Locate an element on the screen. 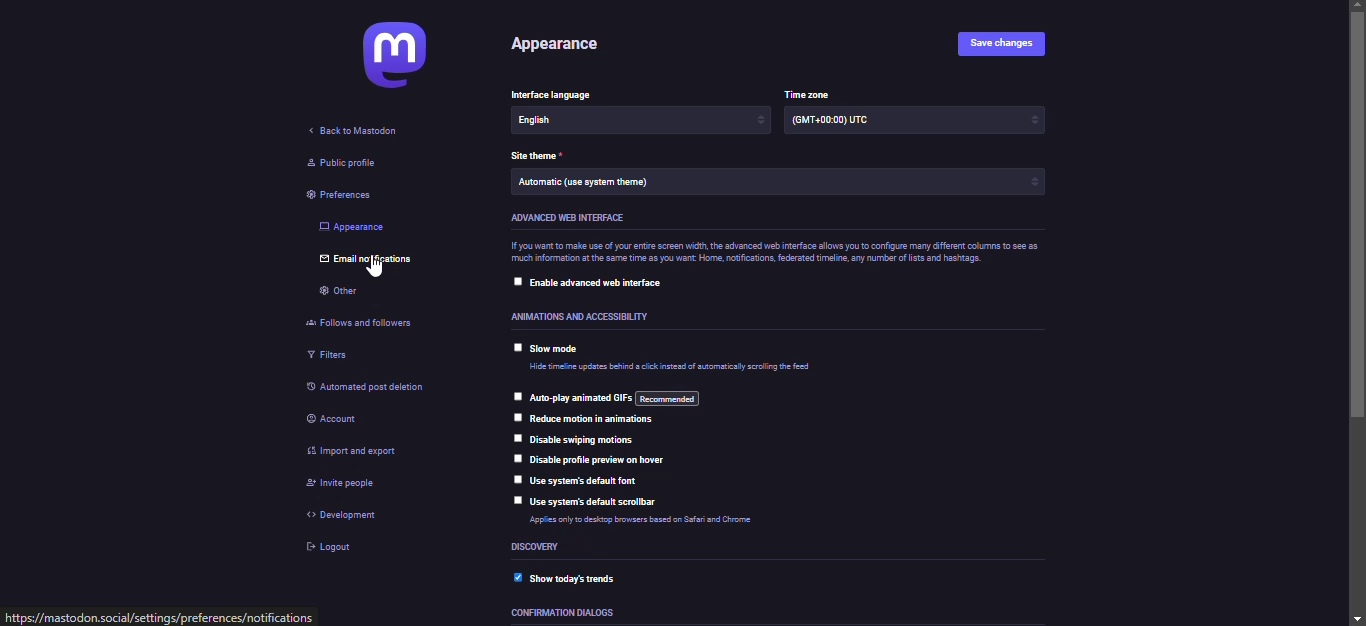 The image size is (1366, 626). info is located at coordinates (652, 519).